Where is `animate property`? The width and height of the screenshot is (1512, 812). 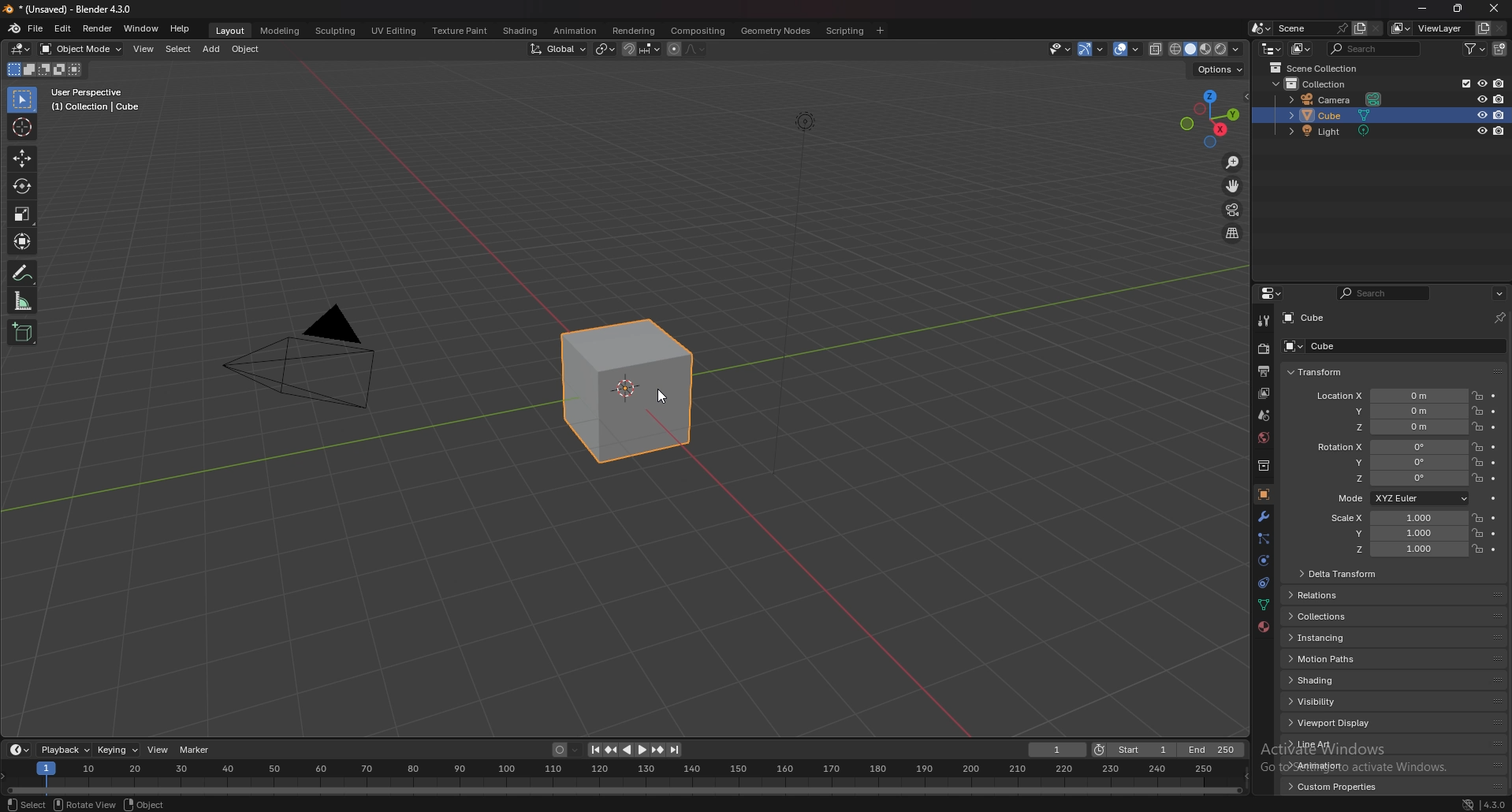
animate property is located at coordinates (1494, 463).